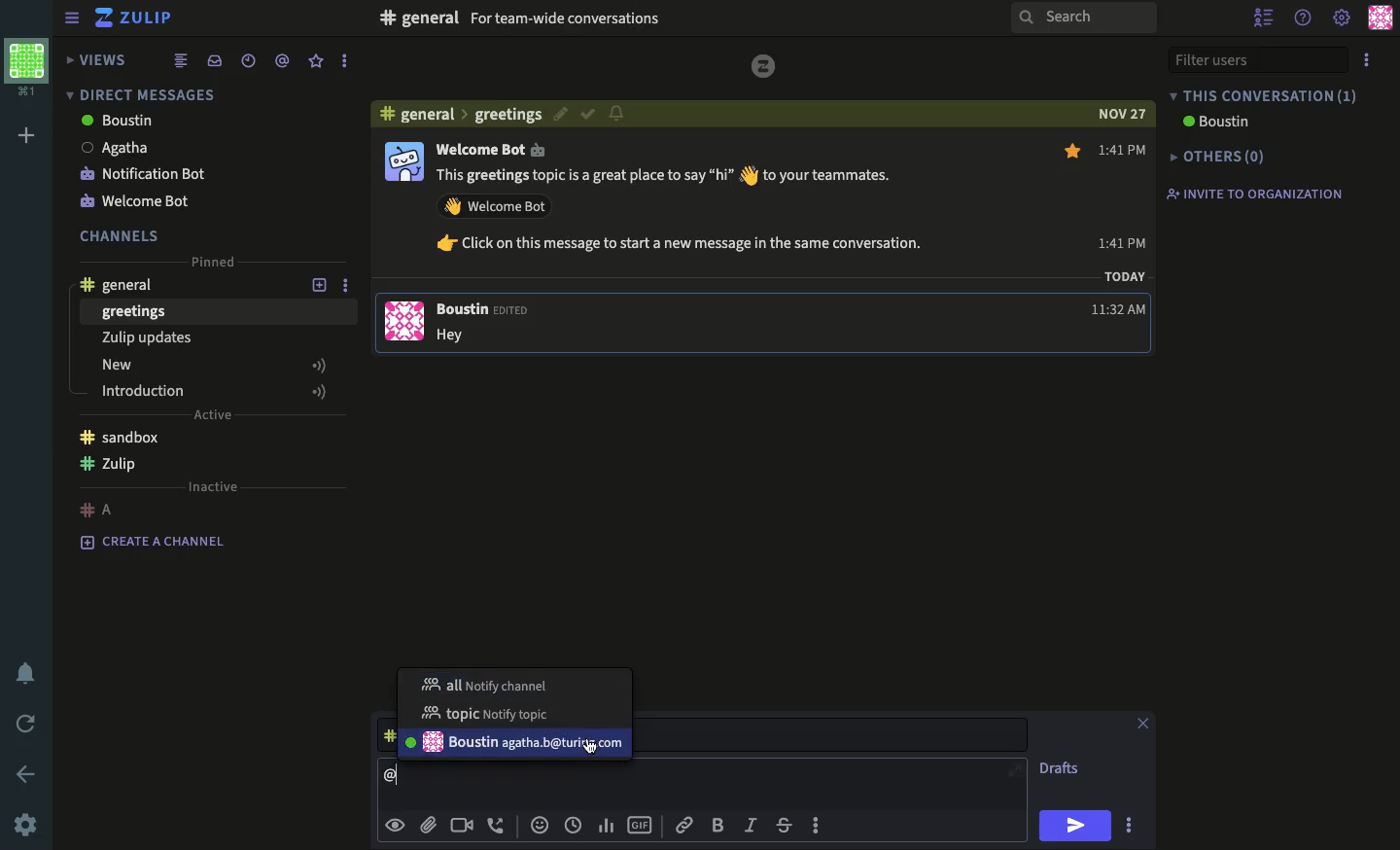 The image size is (1400, 850). Describe the element at coordinates (145, 337) in the screenshot. I see `Zulip updates` at that location.